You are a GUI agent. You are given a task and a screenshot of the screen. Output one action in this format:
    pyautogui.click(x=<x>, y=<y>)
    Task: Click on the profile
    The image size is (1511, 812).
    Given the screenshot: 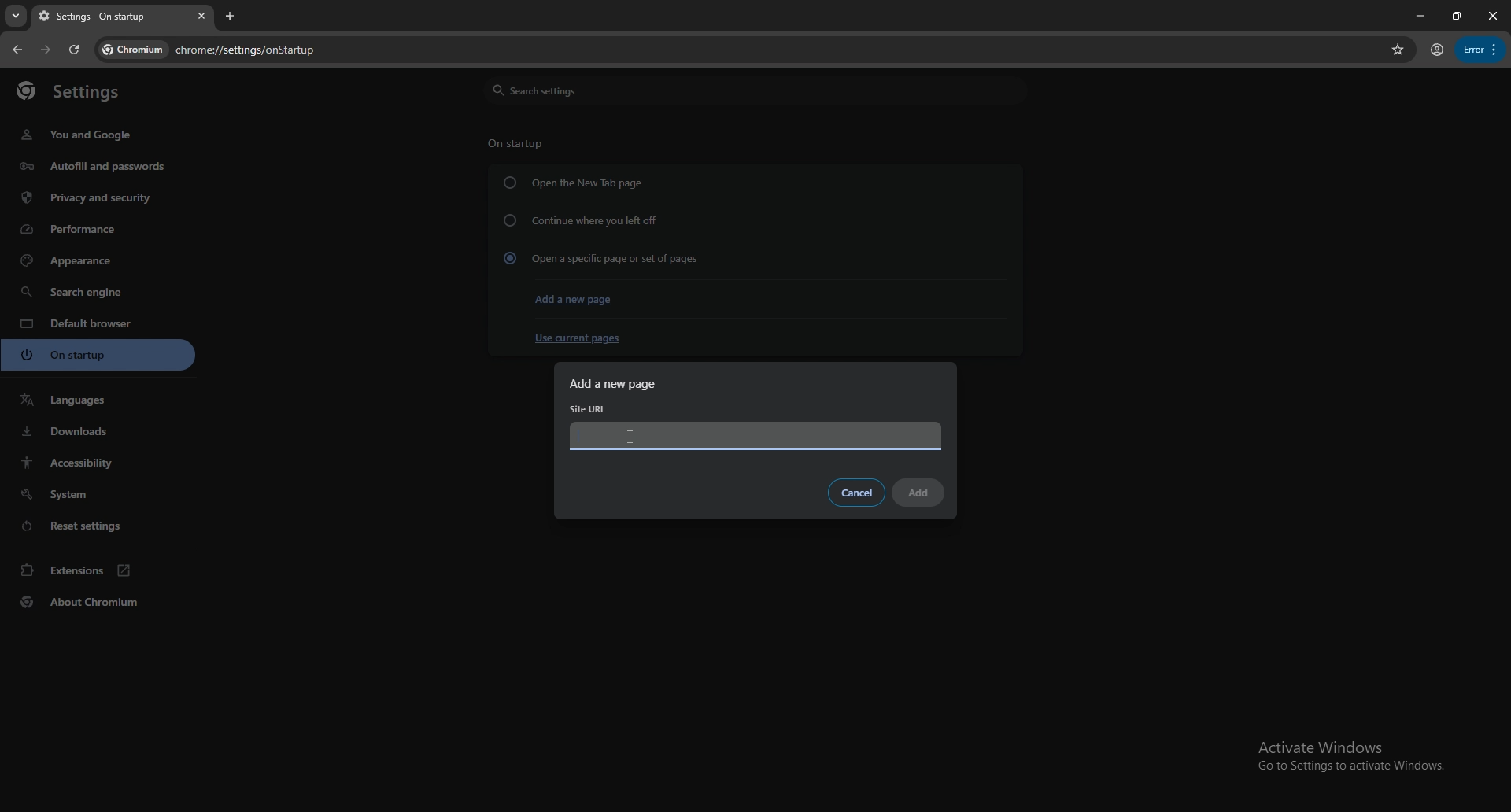 What is the action you would take?
    pyautogui.click(x=1436, y=51)
    